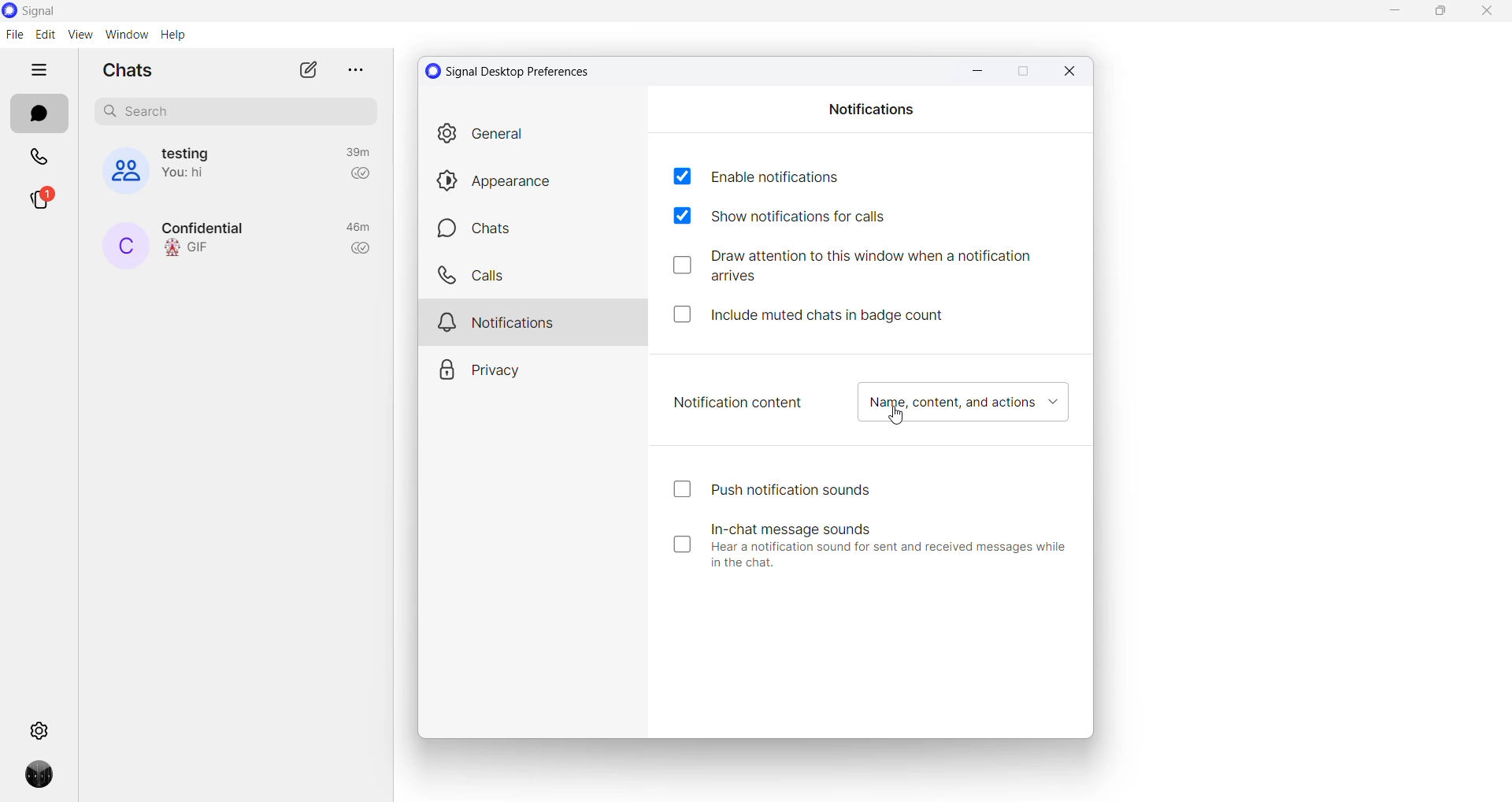  What do you see at coordinates (127, 71) in the screenshot?
I see `chats heading` at bounding box center [127, 71].